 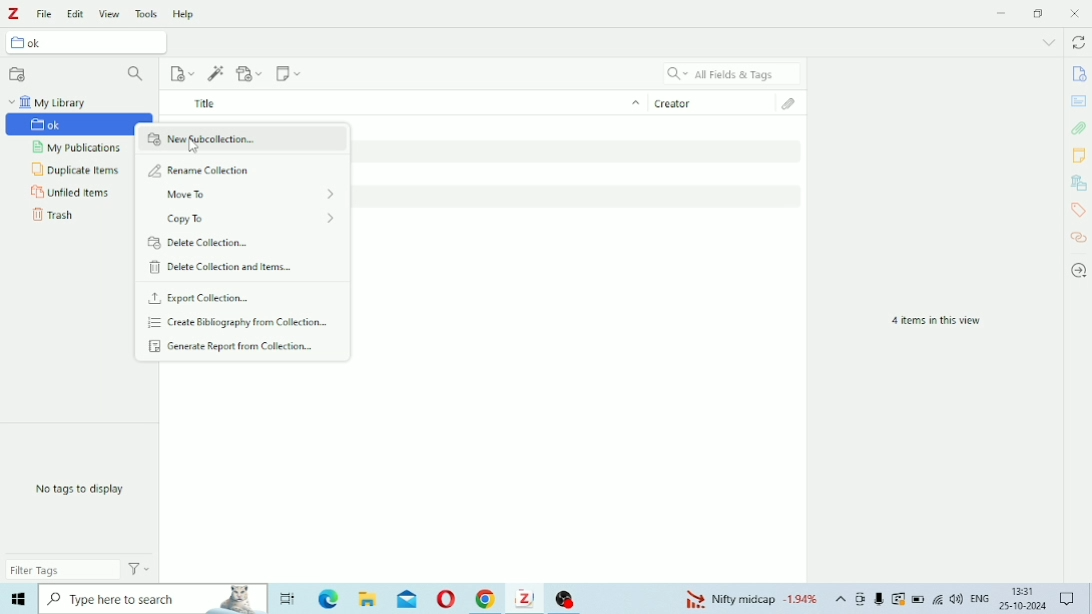 I want to click on Attachments, so click(x=1079, y=128).